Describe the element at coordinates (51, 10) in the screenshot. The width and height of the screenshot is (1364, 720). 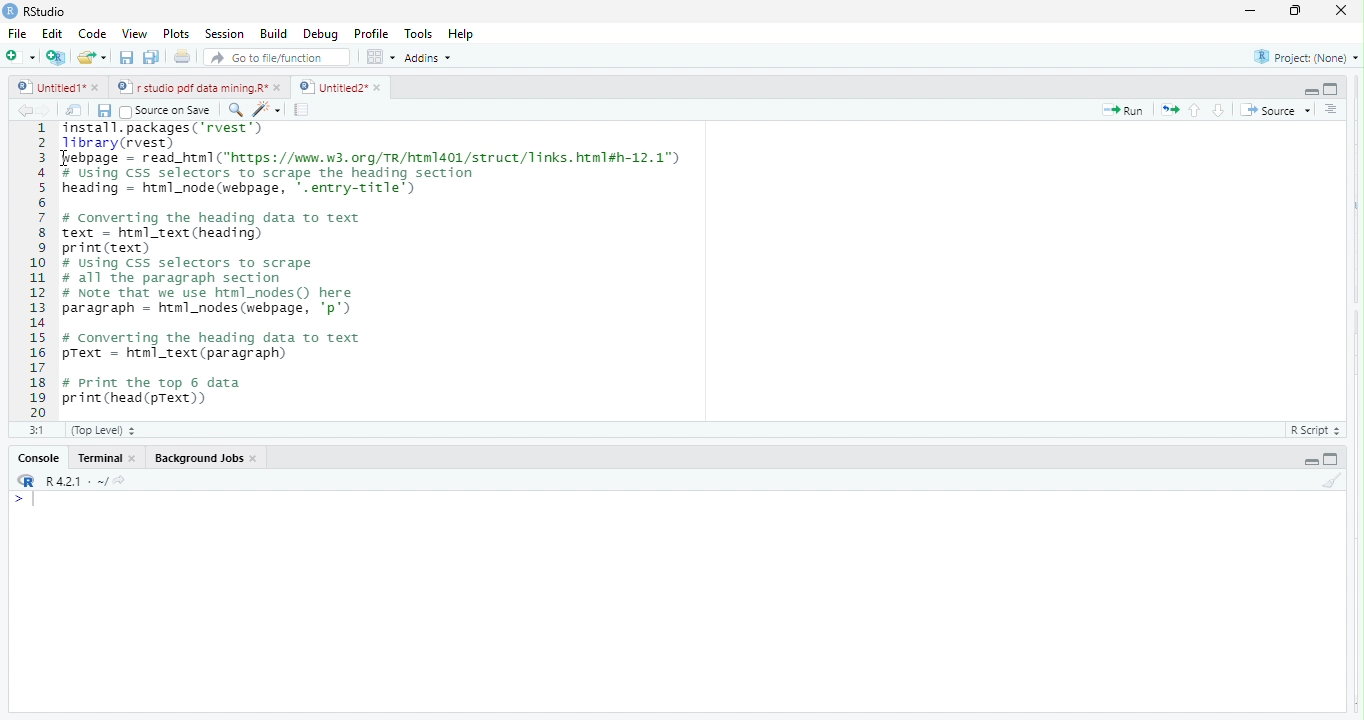
I see `RStudio` at that location.